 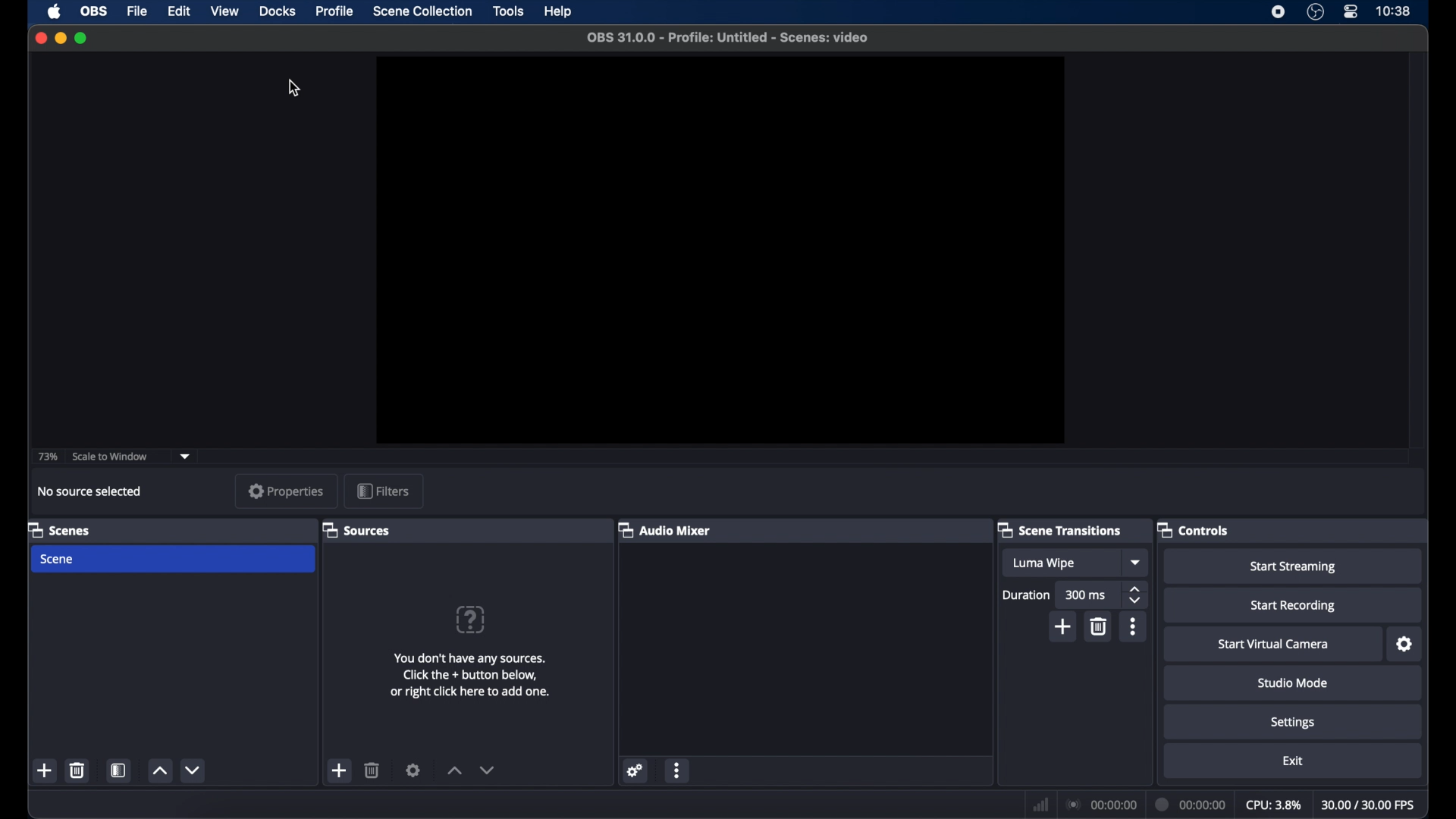 I want to click on duration, so click(x=1025, y=595).